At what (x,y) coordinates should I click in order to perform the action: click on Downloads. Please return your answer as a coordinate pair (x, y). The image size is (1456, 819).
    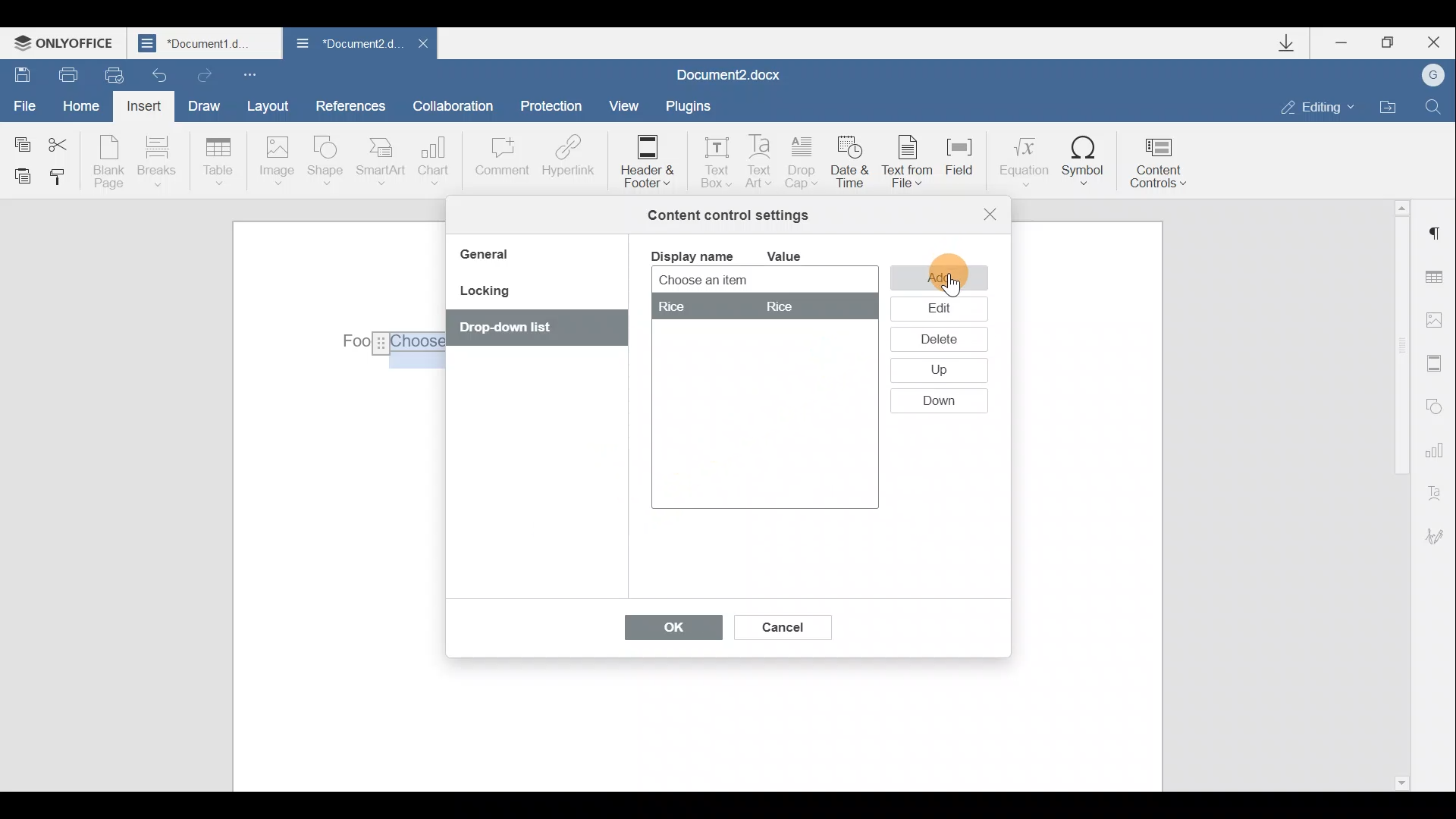
    Looking at the image, I should click on (1292, 43).